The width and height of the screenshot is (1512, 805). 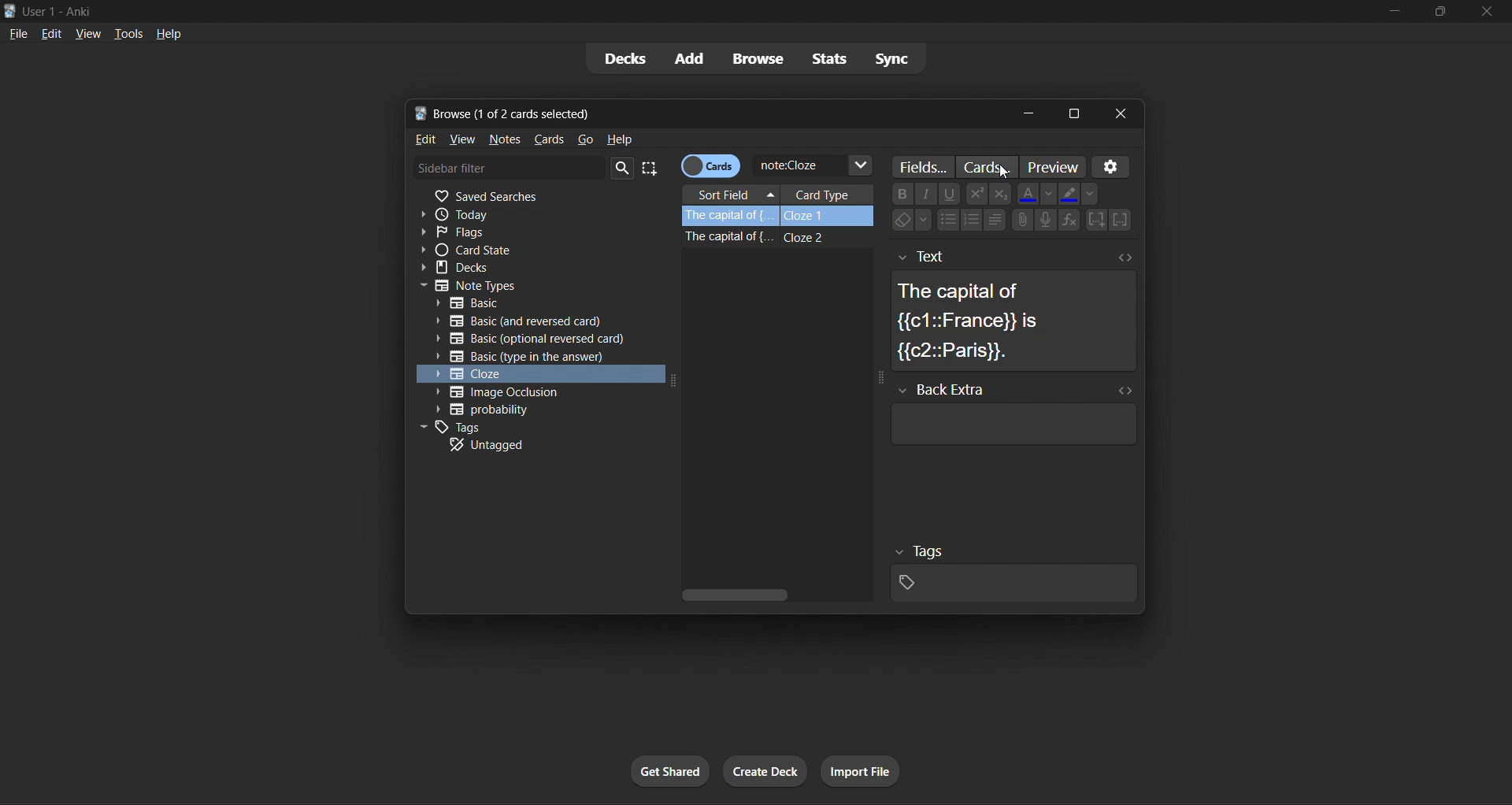 I want to click on selected cloze card, so click(x=780, y=217).